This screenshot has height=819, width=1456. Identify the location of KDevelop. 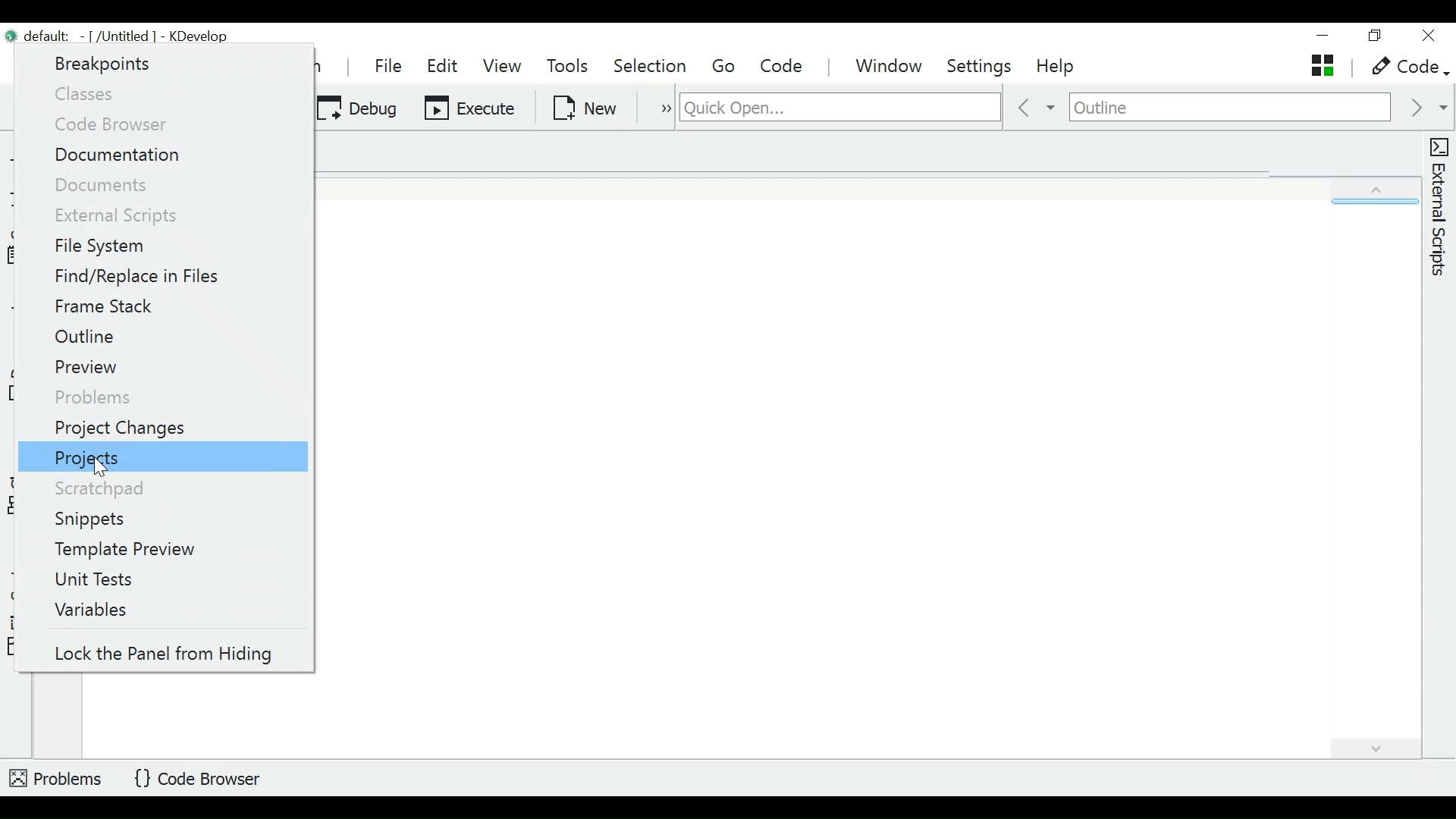
(199, 36).